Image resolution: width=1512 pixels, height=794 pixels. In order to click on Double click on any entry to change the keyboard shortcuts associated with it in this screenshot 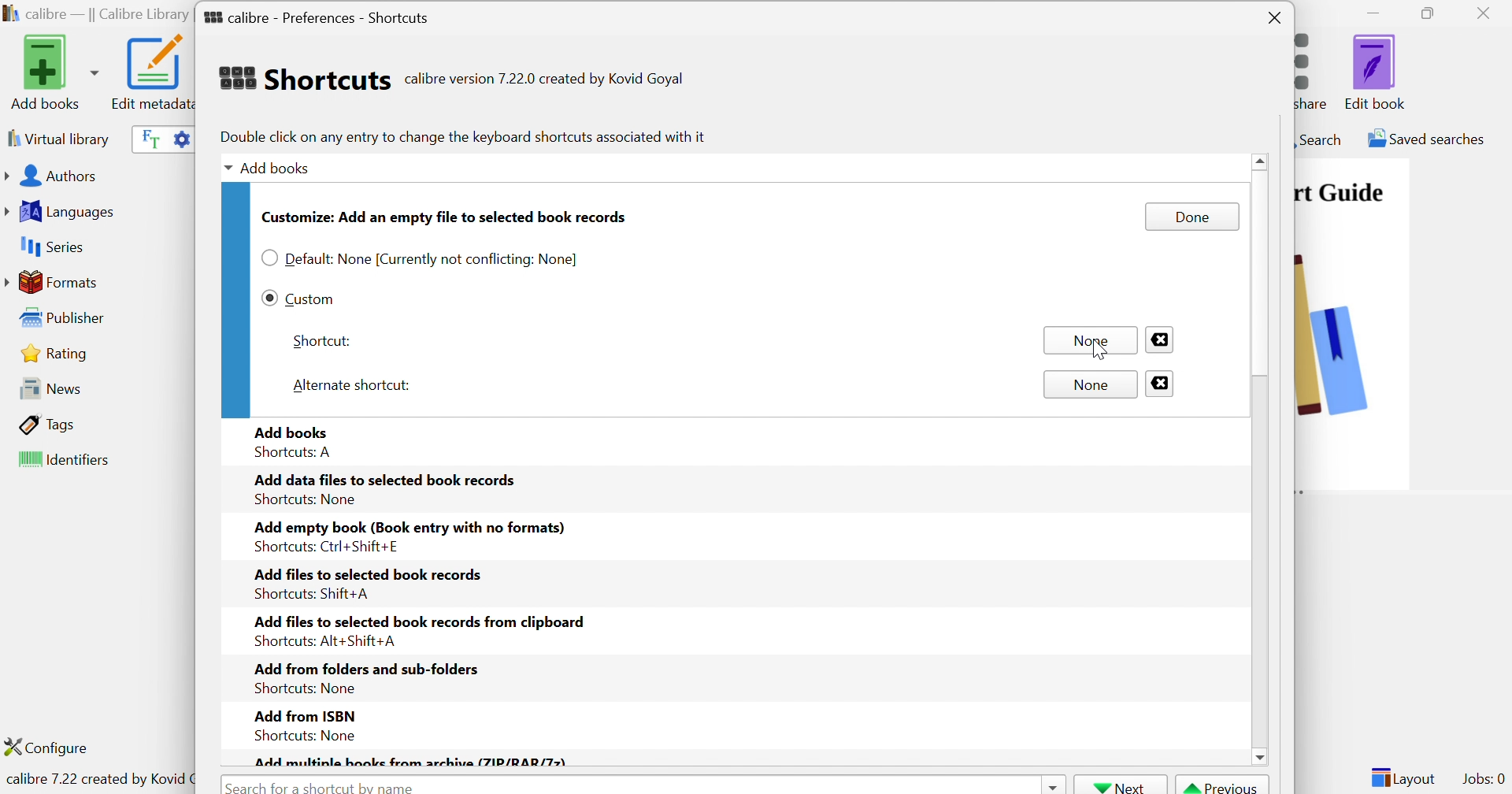, I will do `click(461, 136)`.